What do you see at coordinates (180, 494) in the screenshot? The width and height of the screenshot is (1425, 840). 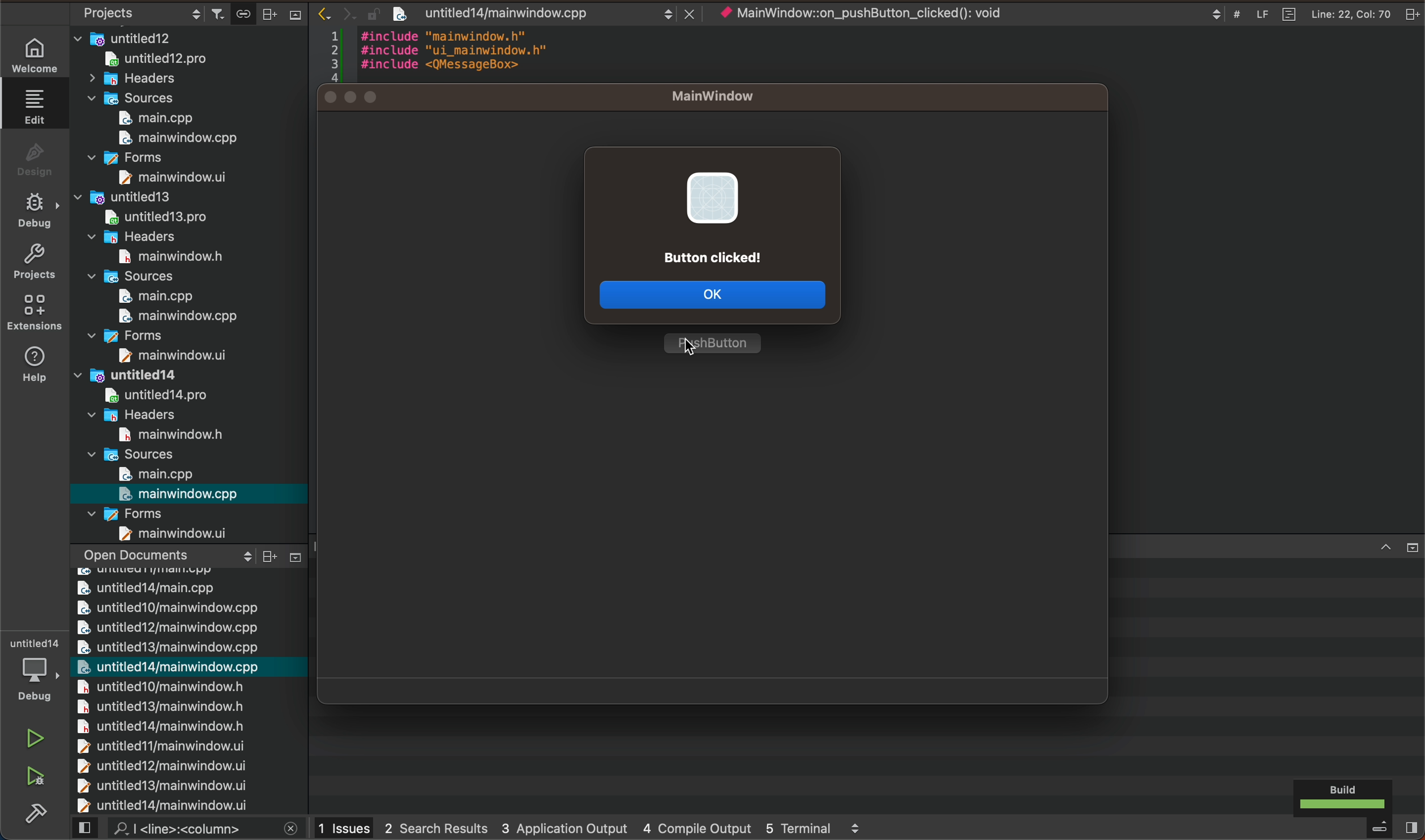 I see `main window.cpp` at bounding box center [180, 494].